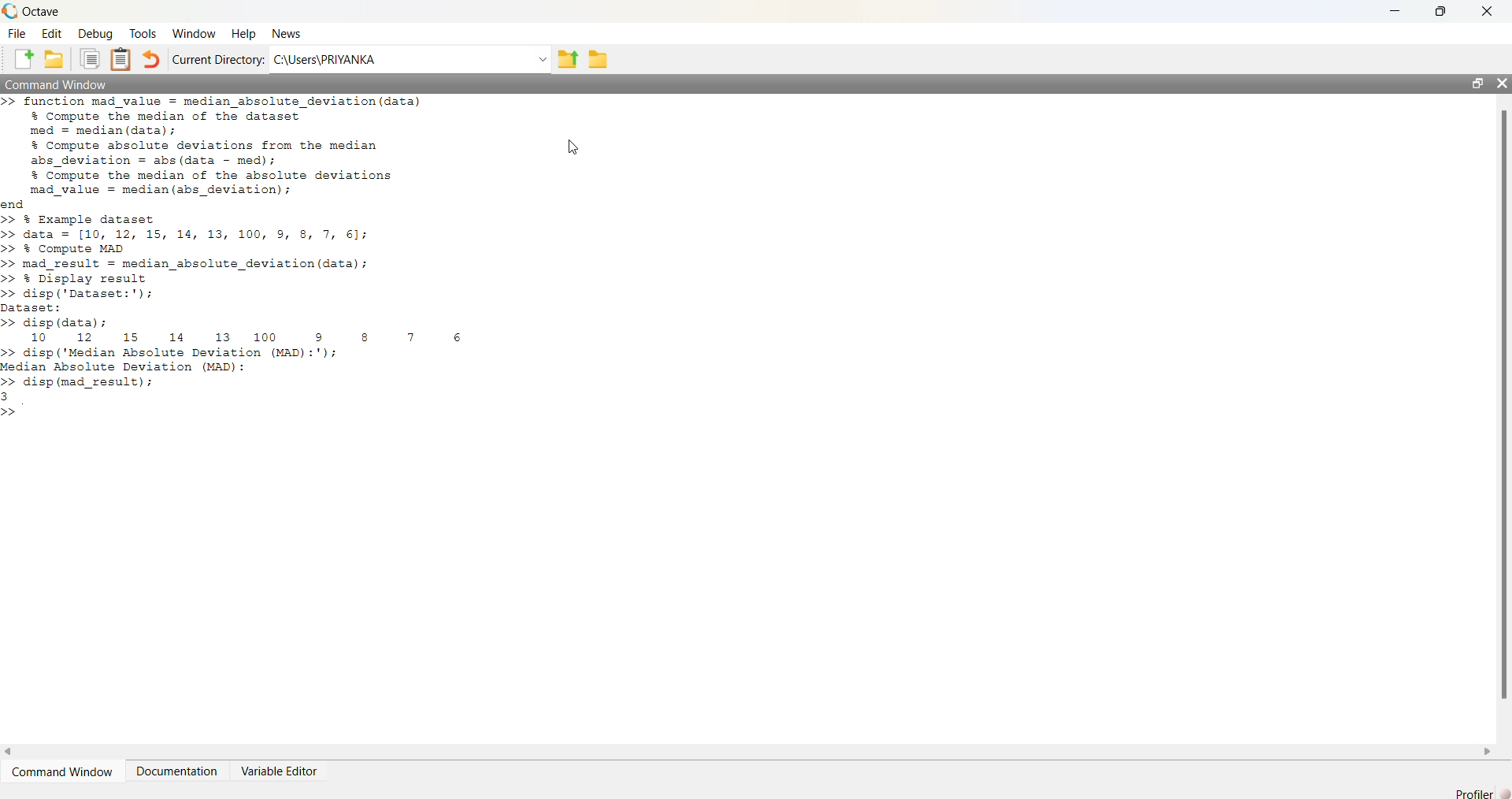  I want to click on Browse Directions, so click(599, 59).